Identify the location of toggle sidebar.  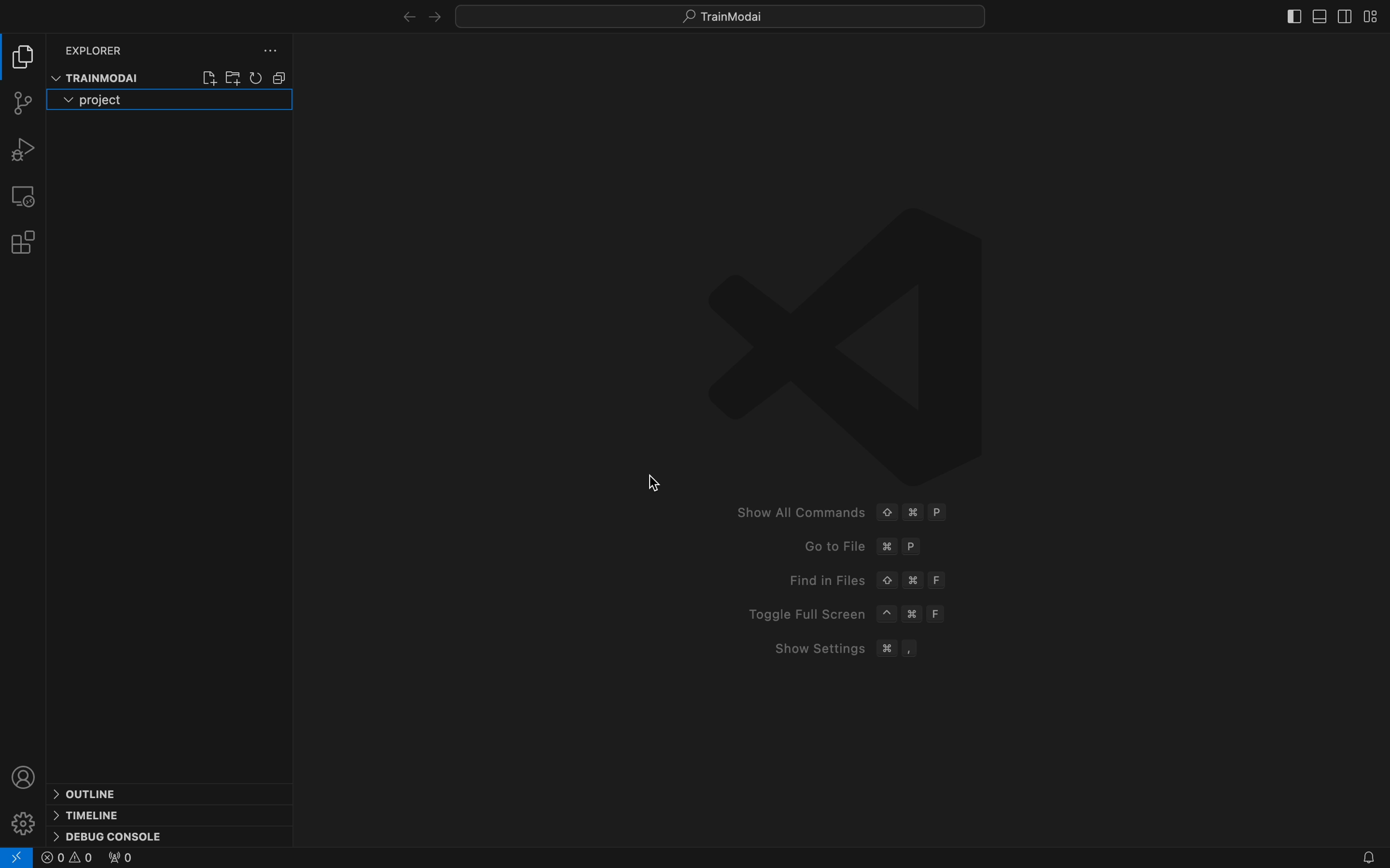
(1291, 15).